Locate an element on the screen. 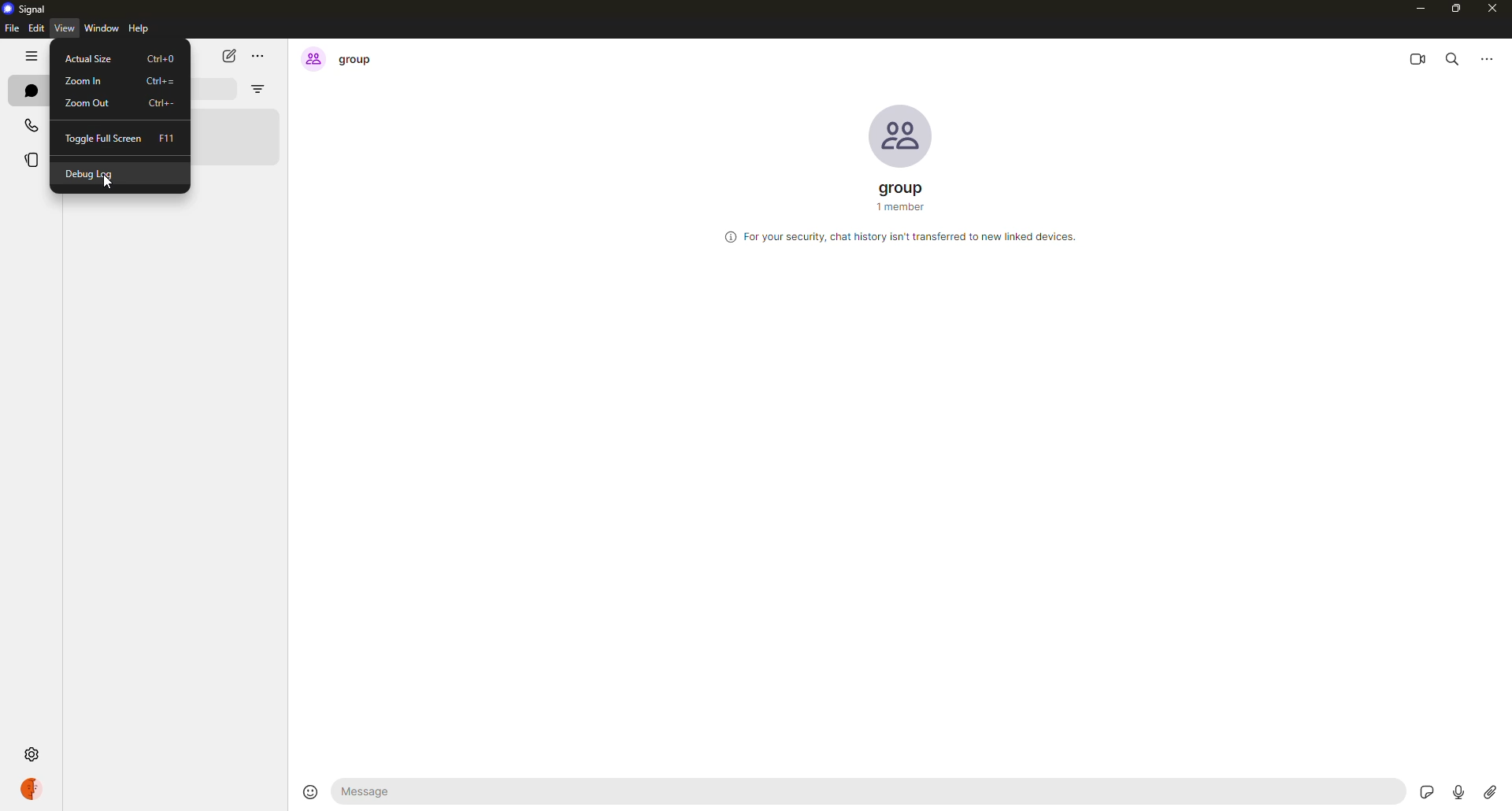 The height and width of the screenshot is (811, 1512). new chat is located at coordinates (229, 55).